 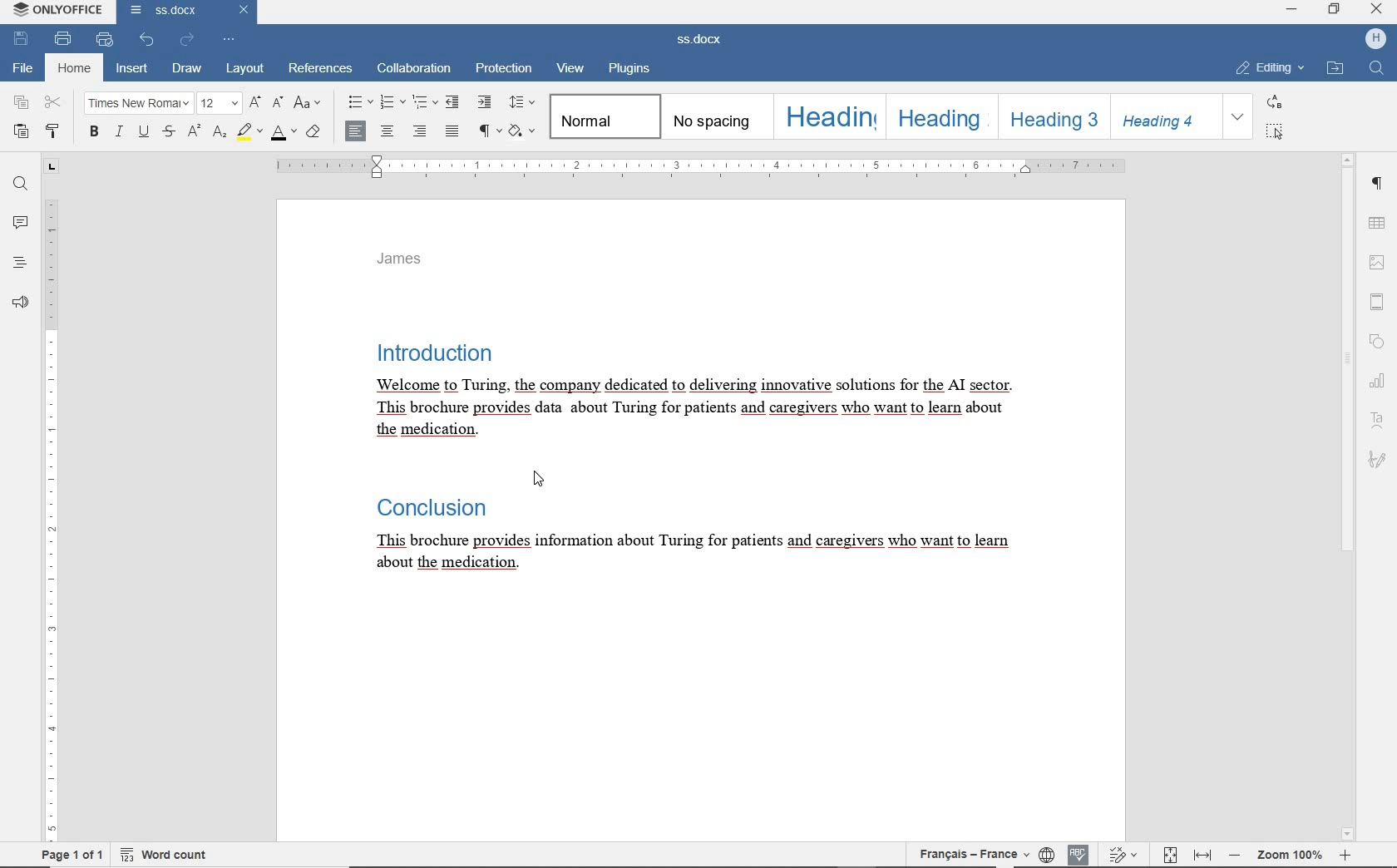 What do you see at coordinates (1163, 117) in the screenshot?
I see `HEADING 4` at bounding box center [1163, 117].